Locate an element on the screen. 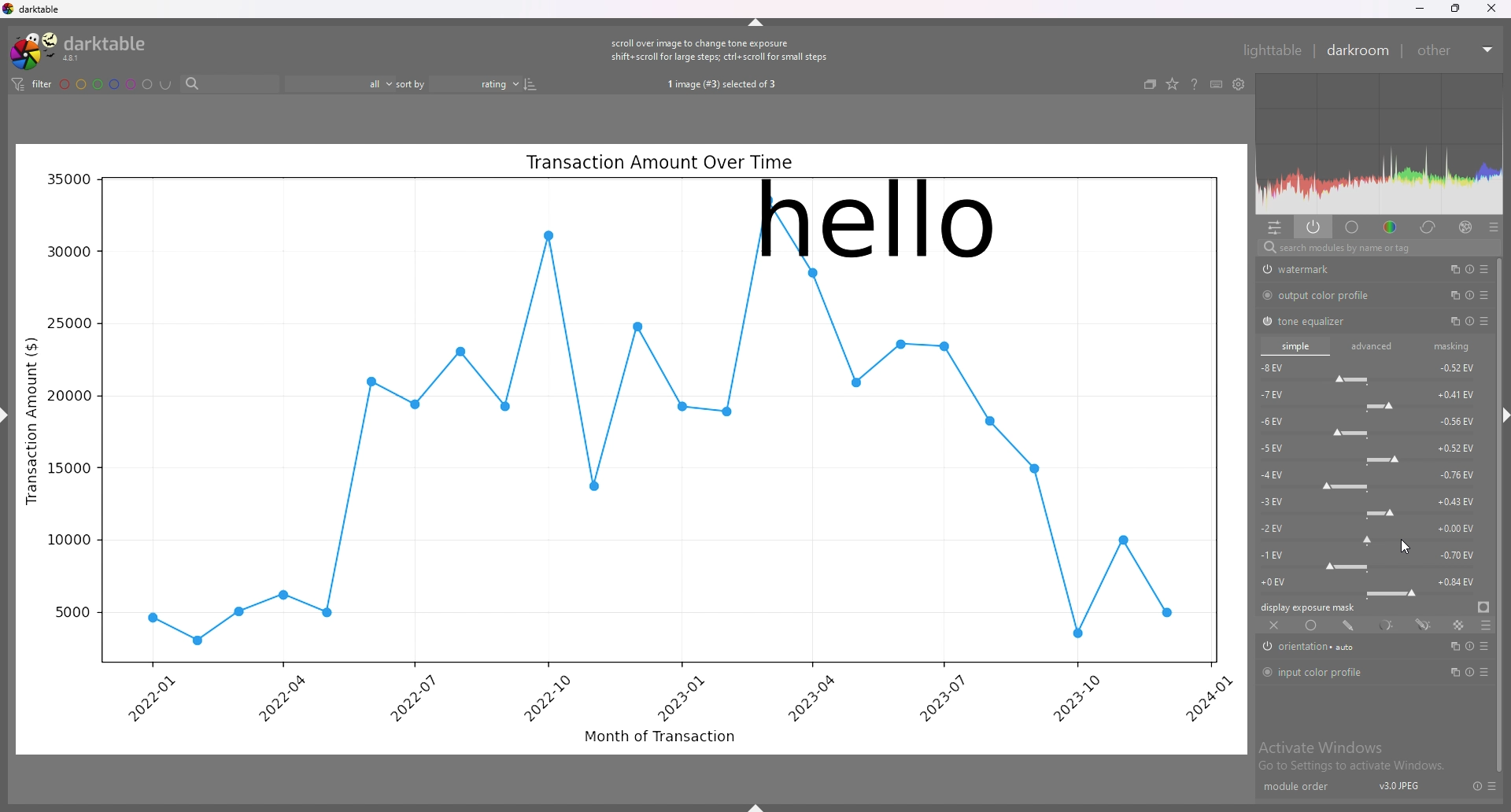  35000 is located at coordinates (68, 179).